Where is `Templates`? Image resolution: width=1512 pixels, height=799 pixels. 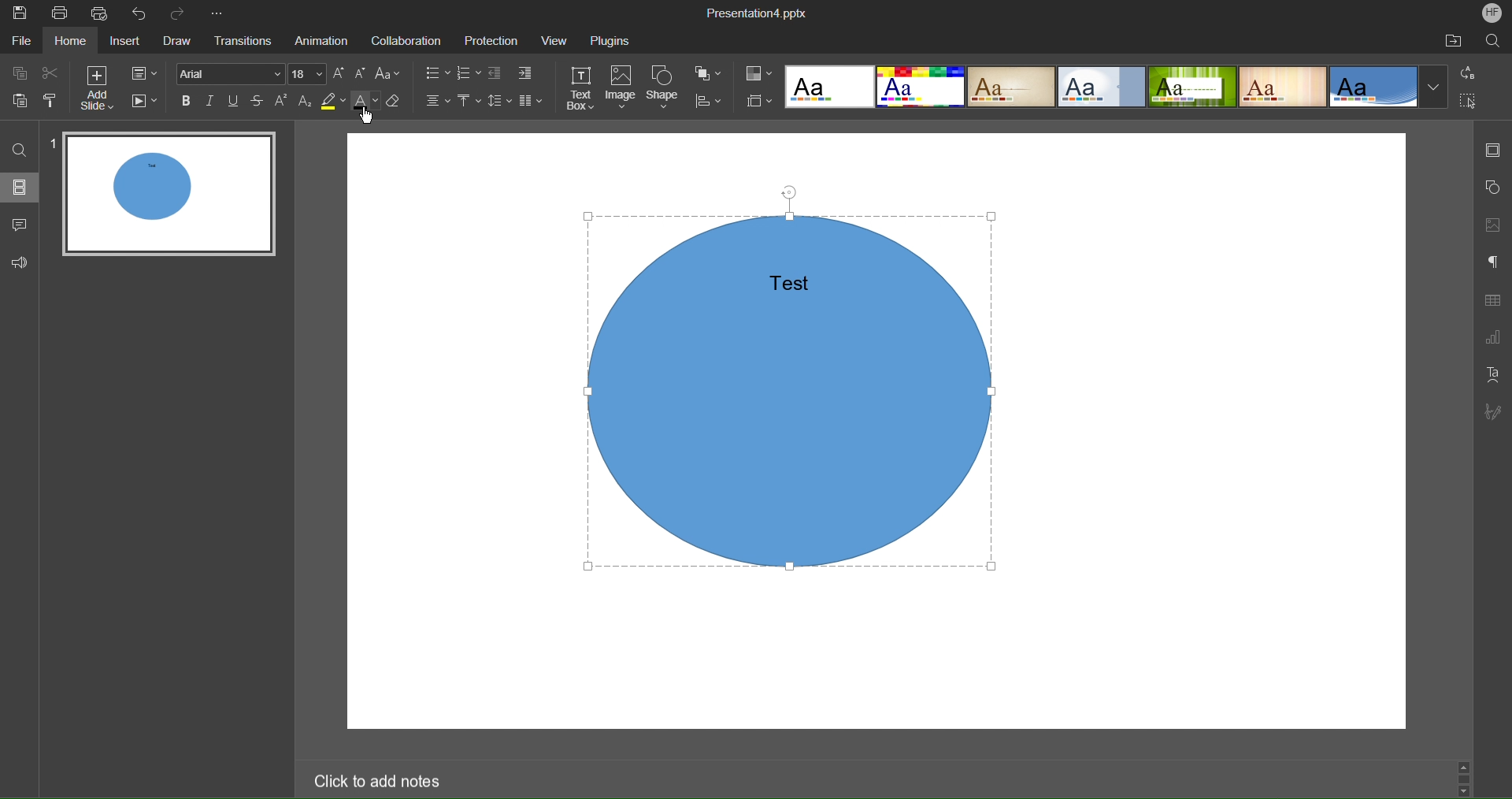 Templates is located at coordinates (1114, 88).